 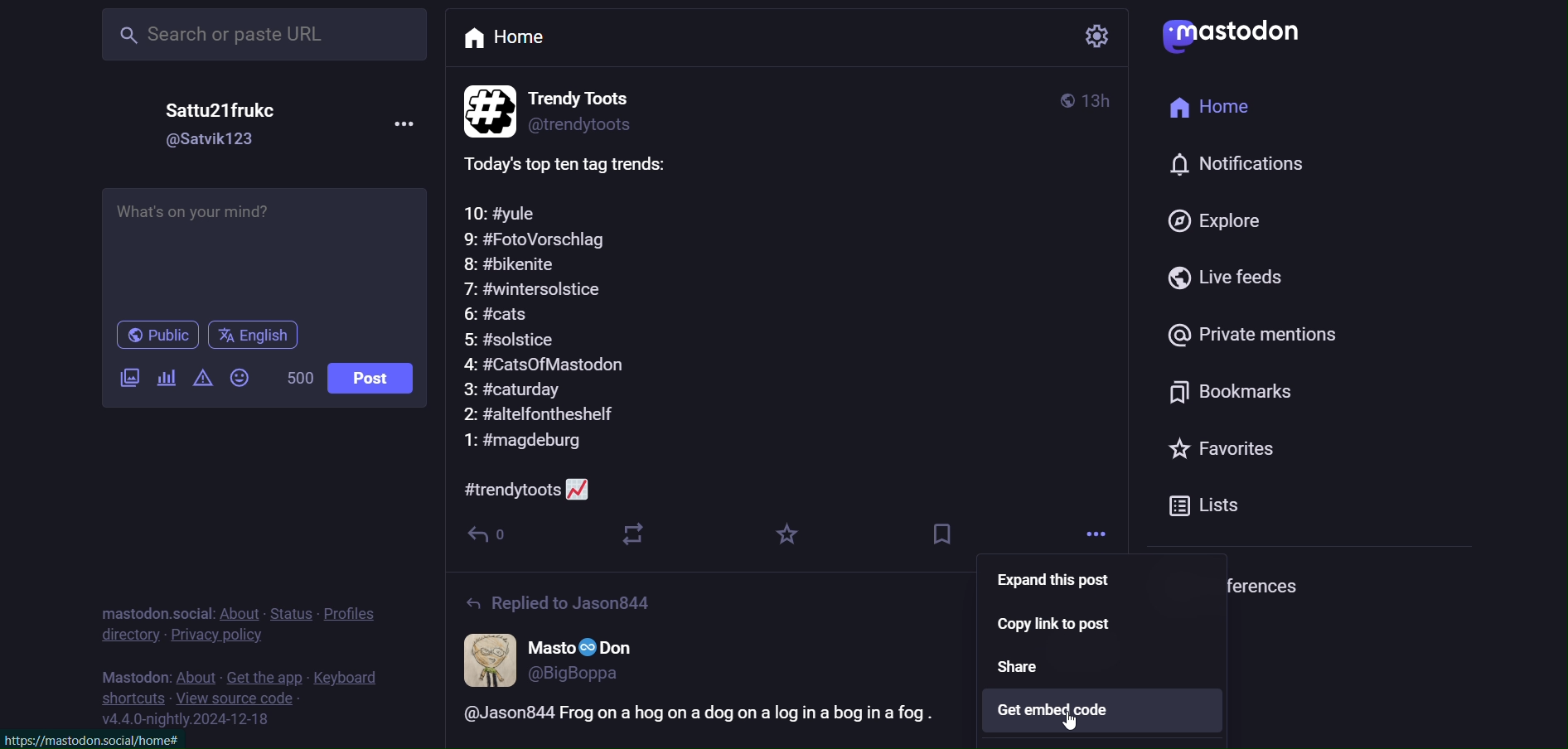 I want to click on word limit, so click(x=297, y=381).